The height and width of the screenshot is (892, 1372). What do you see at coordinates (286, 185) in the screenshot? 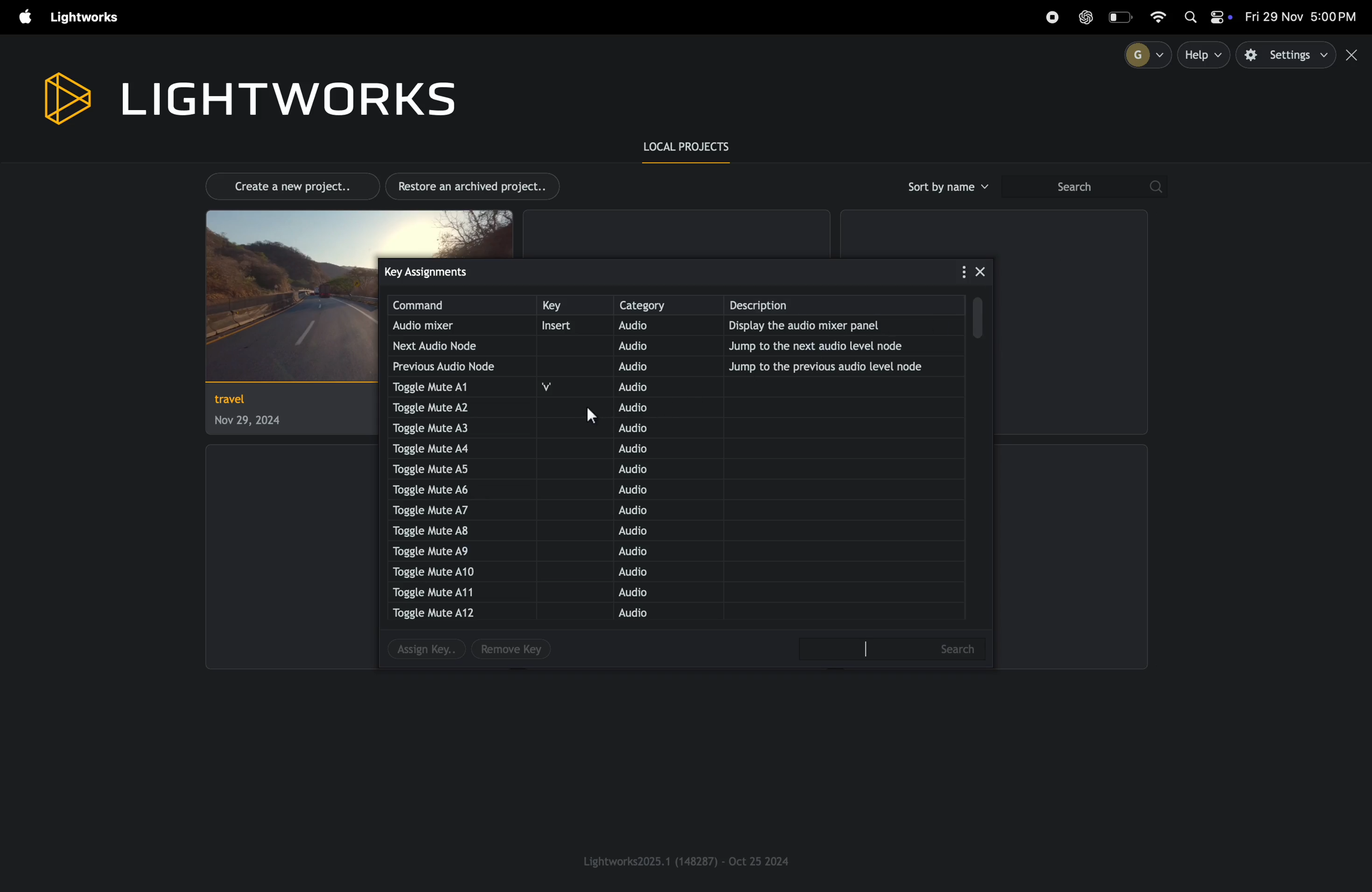
I see `create new project` at bounding box center [286, 185].